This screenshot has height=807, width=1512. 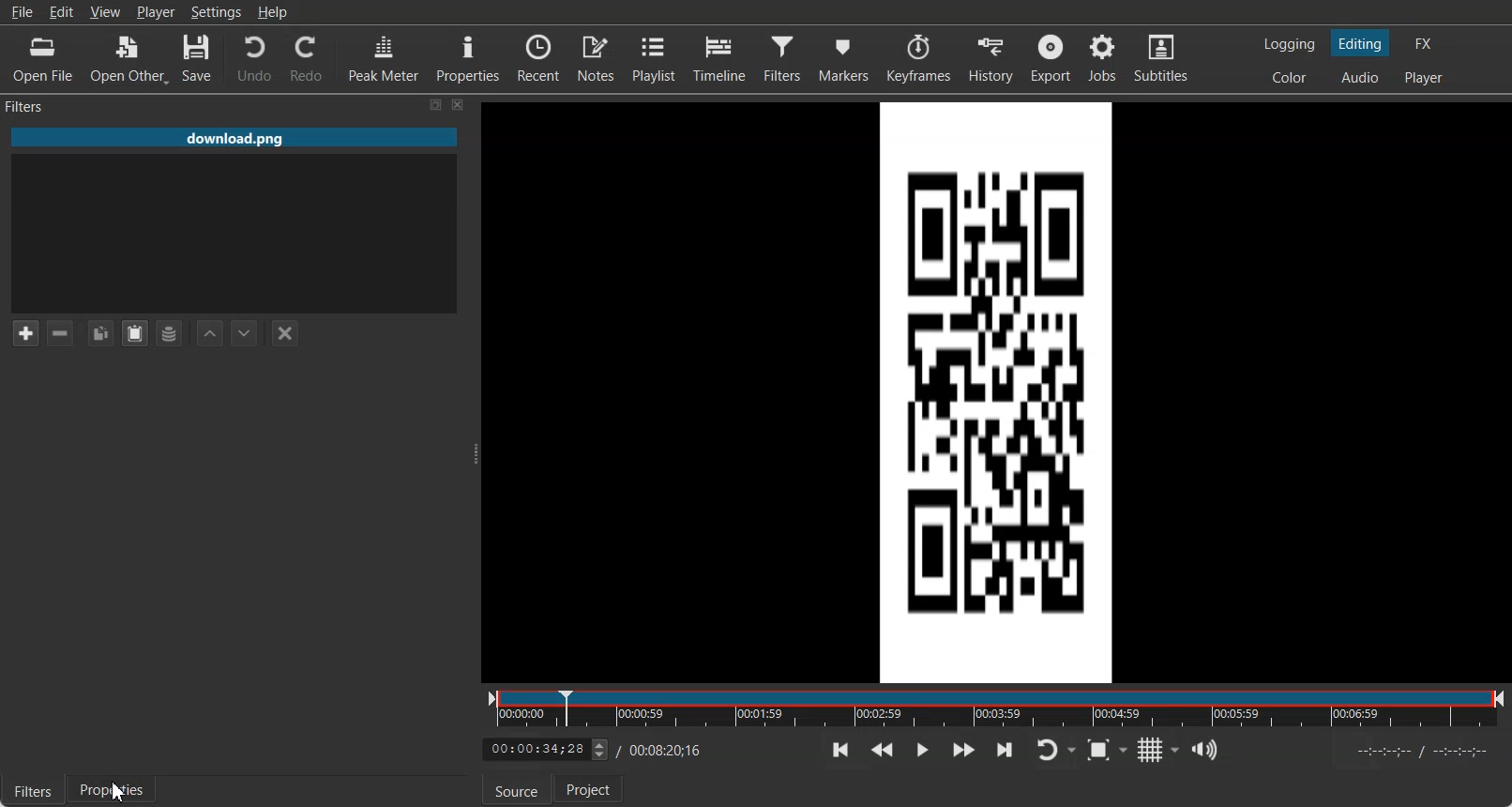 I want to click on Filters, so click(x=783, y=58).